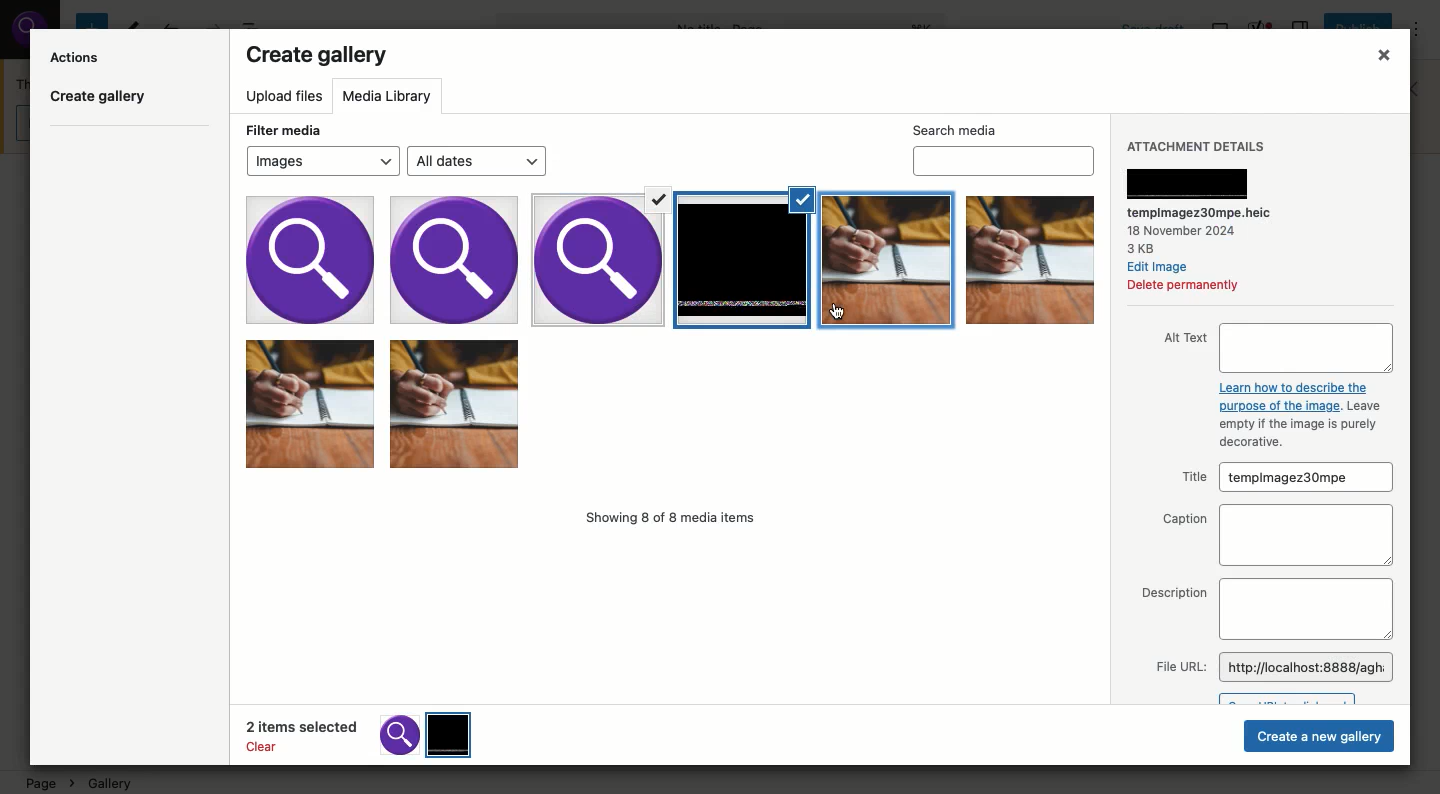 The width and height of the screenshot is (1440, 794). What do you see at coordinates (318, 57) in the screenshot?
I see `Create gallery` at bounding box center [318, 57].